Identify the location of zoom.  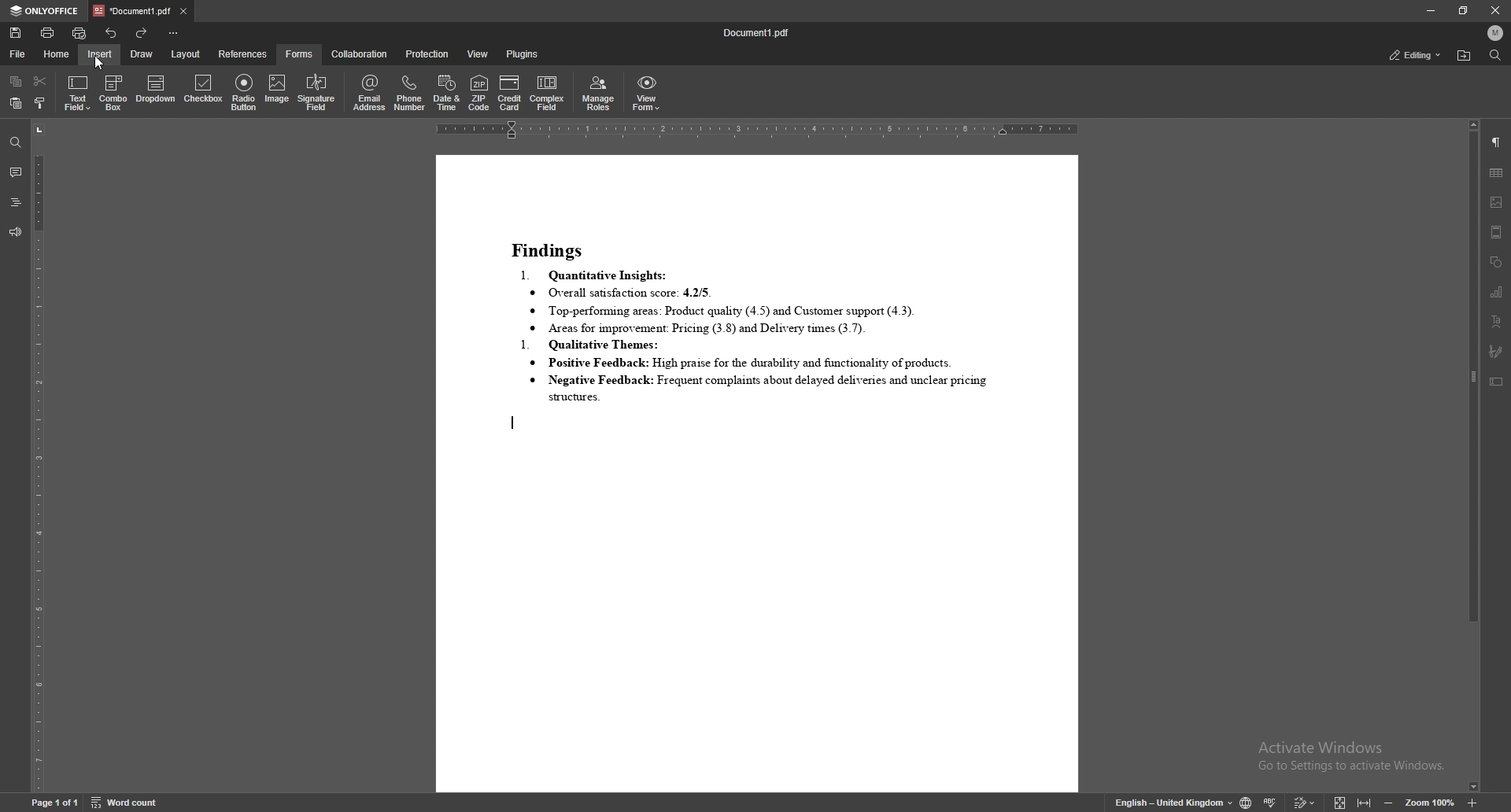
(1429, 803).